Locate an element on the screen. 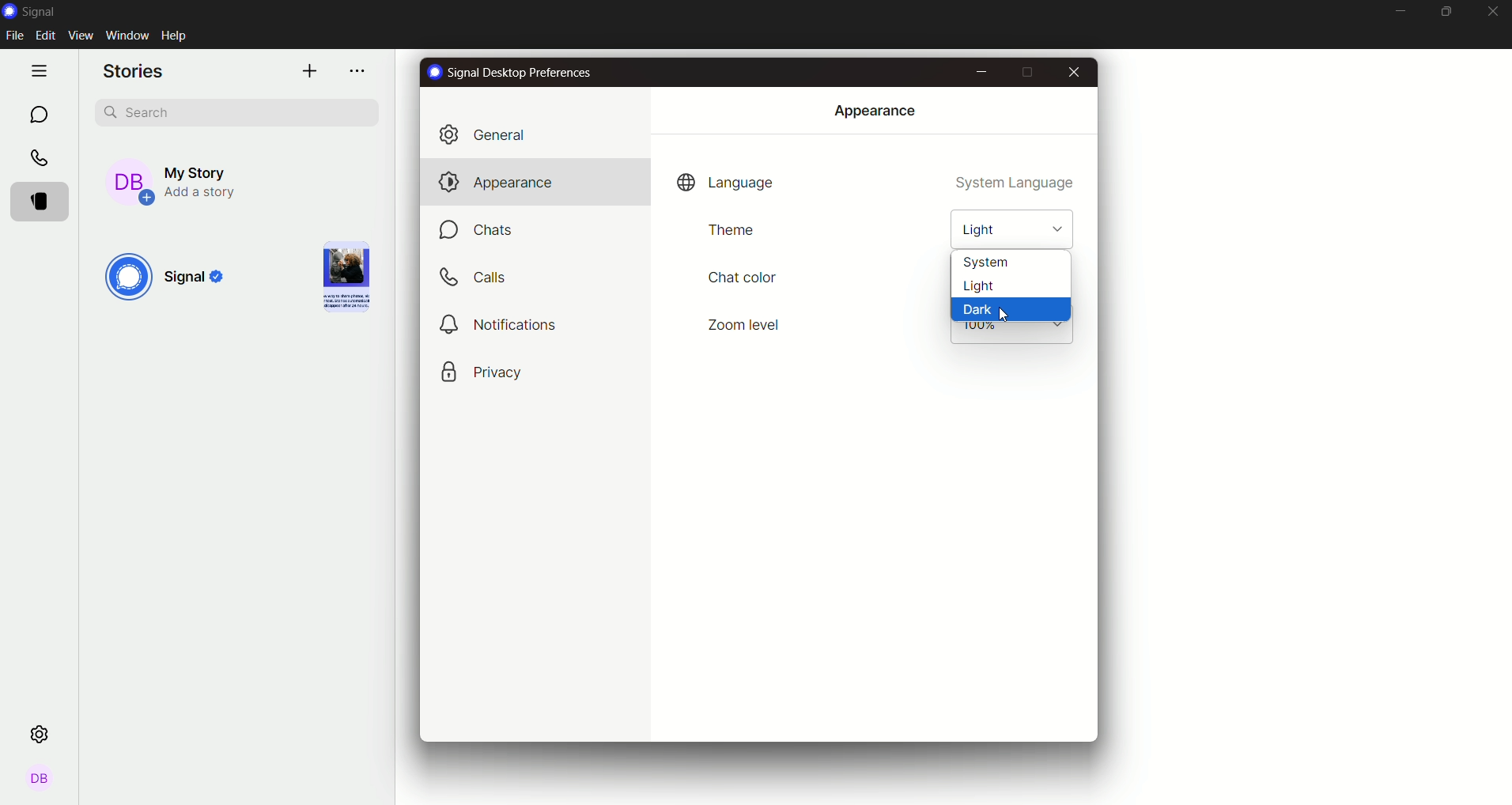  general is located at coordinates (492, 134).